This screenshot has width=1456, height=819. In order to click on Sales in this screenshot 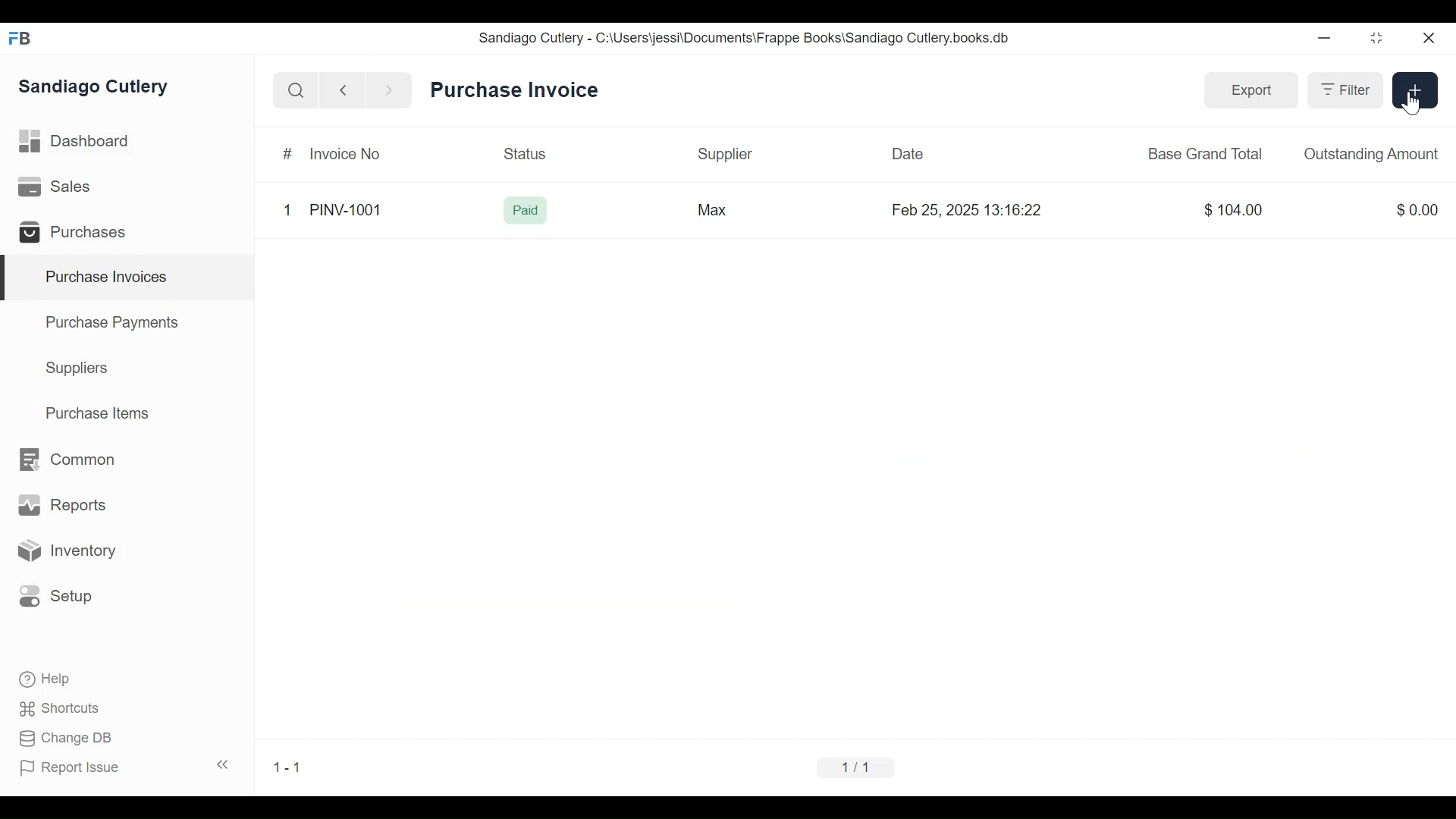, I will do `click(58, 187)`.